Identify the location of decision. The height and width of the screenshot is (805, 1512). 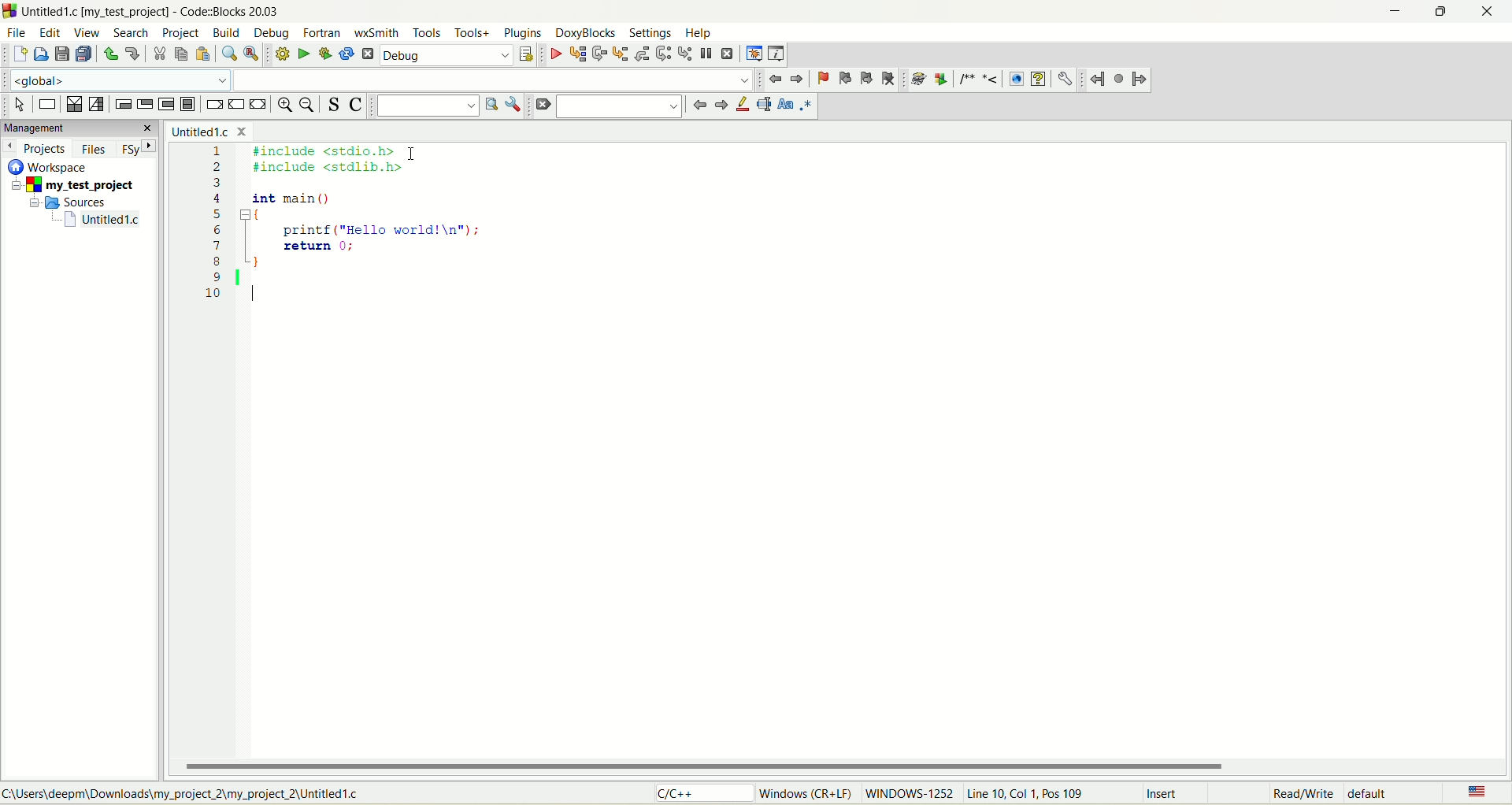
(74, 106).